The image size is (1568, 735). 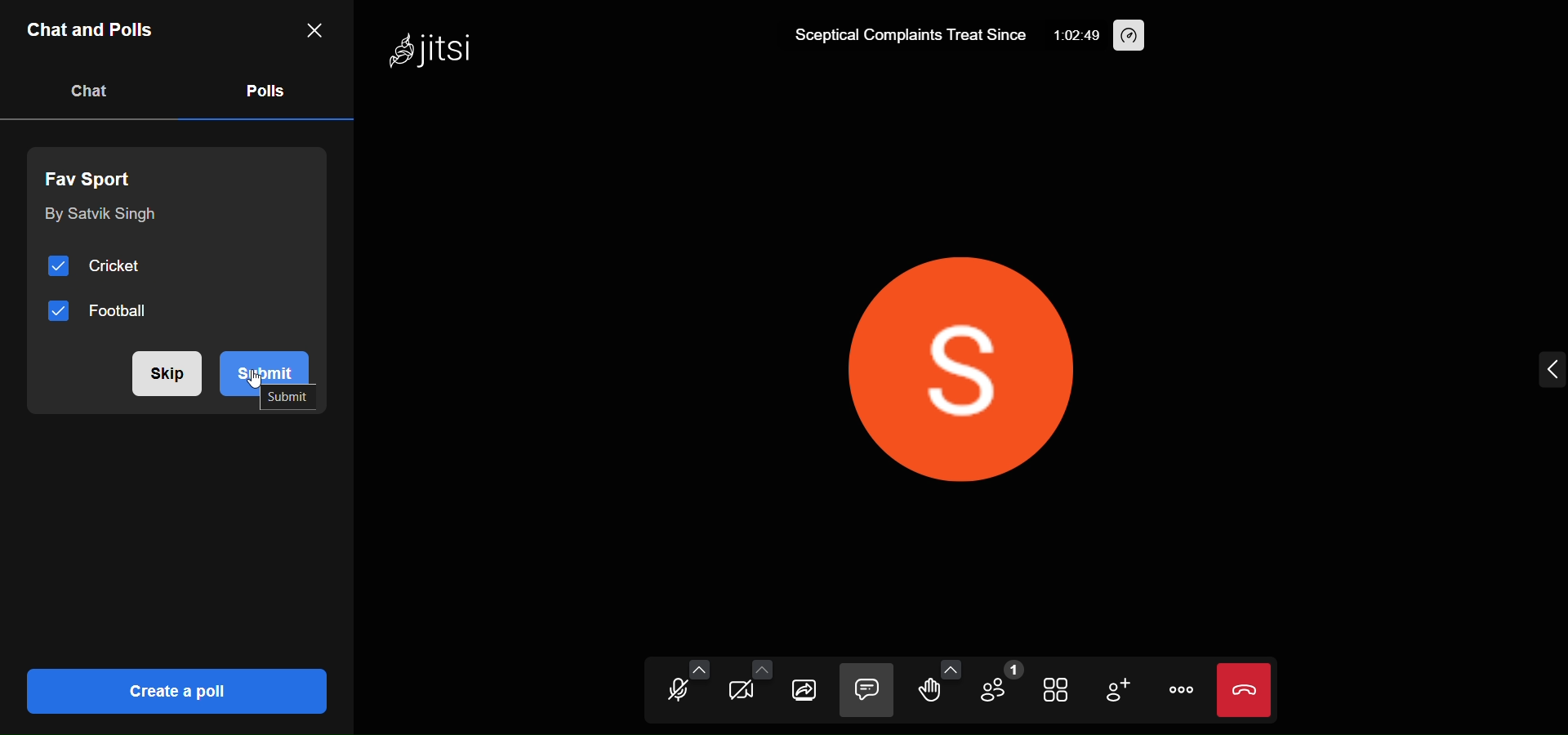 I want to click on raise hand, so click(x=926, y=693).